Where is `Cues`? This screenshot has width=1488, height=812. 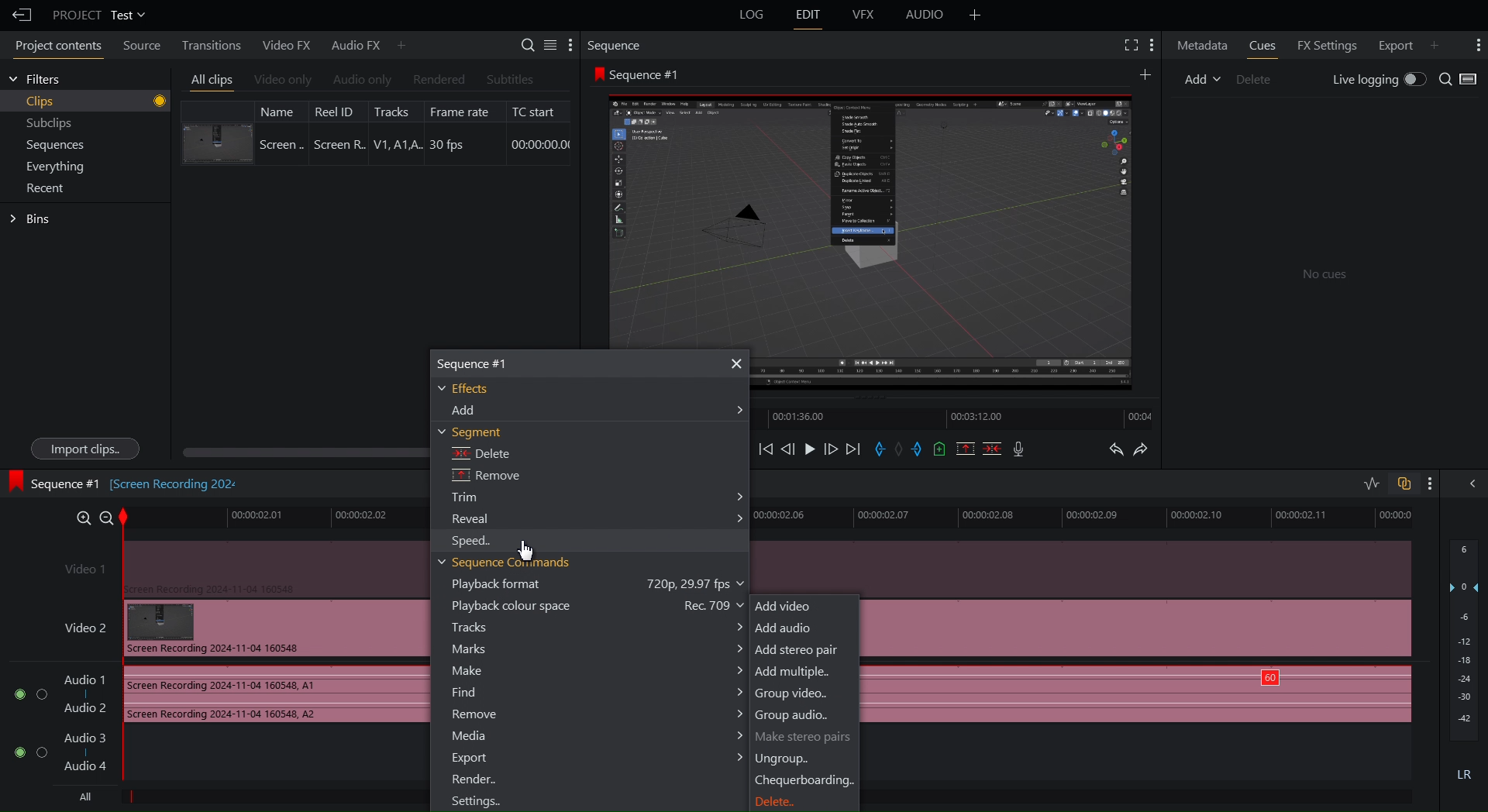 Cues is located at coordinates (1265, 45).